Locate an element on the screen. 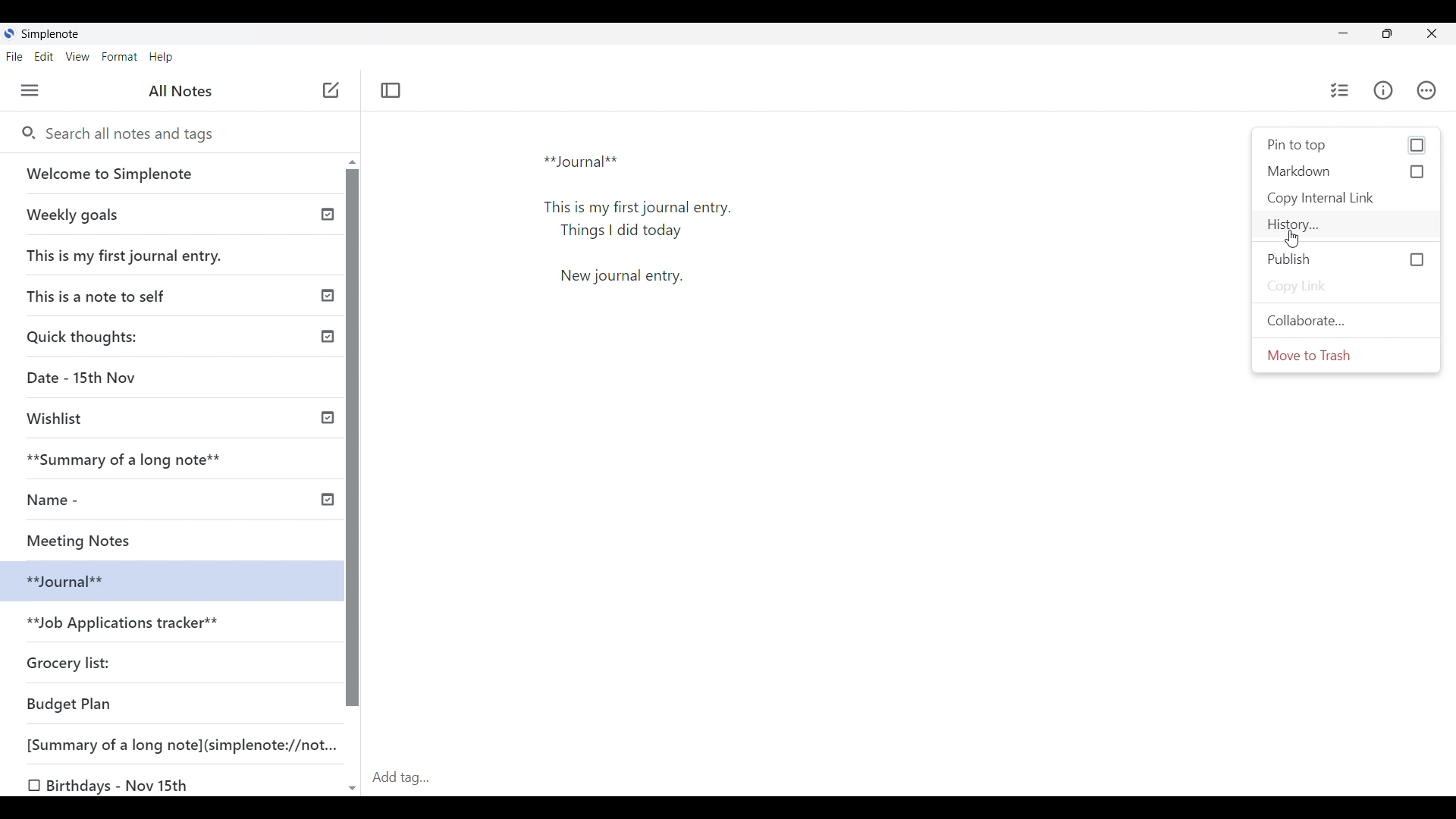 Image resolution: width=1456 pixels, height=819 pixels. Edit menu is located at coordinates (44, 57).